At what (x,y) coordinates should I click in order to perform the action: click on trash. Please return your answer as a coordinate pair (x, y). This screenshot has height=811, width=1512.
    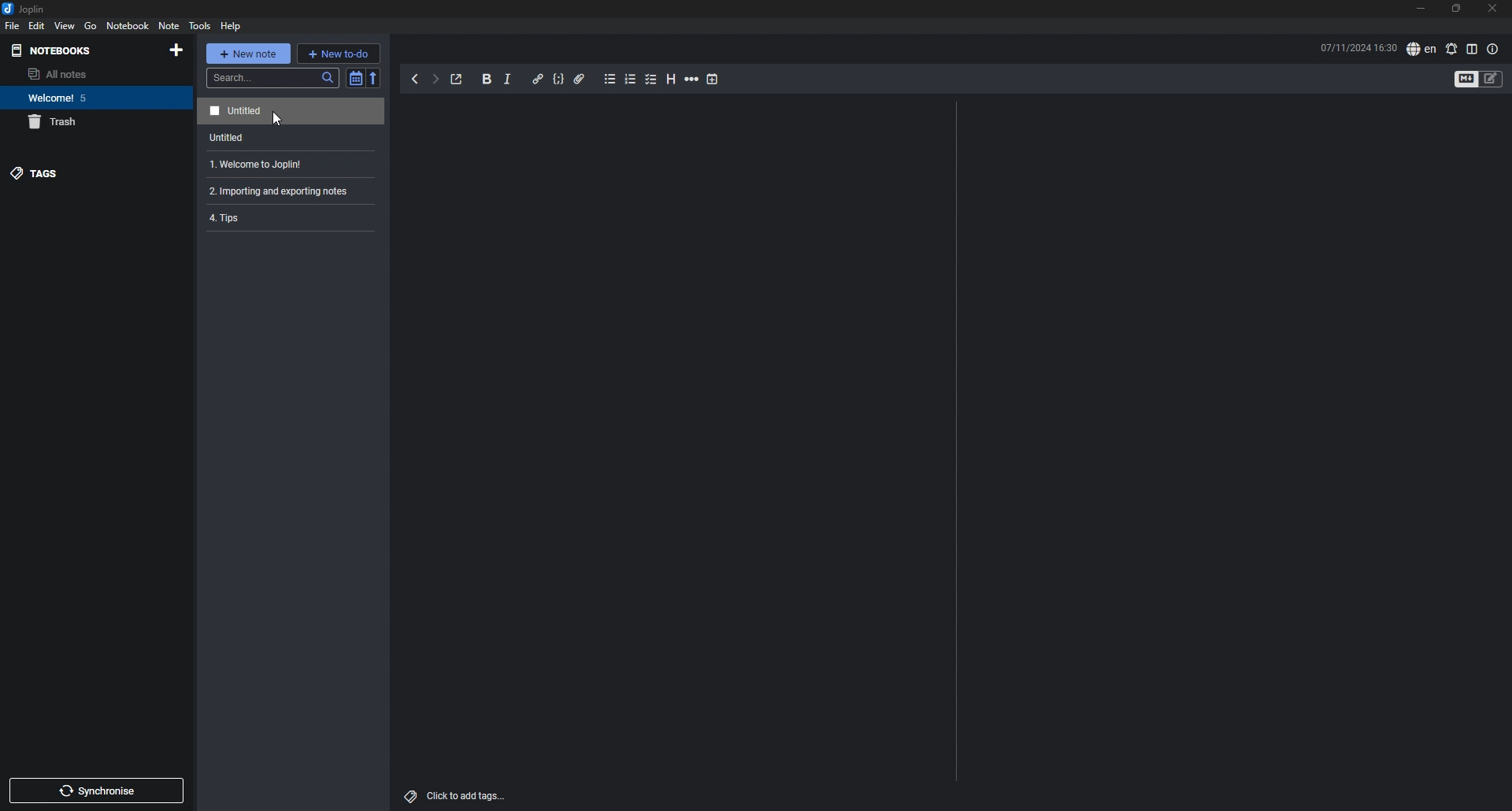
    Looking at the image, I should click on (83, 123).